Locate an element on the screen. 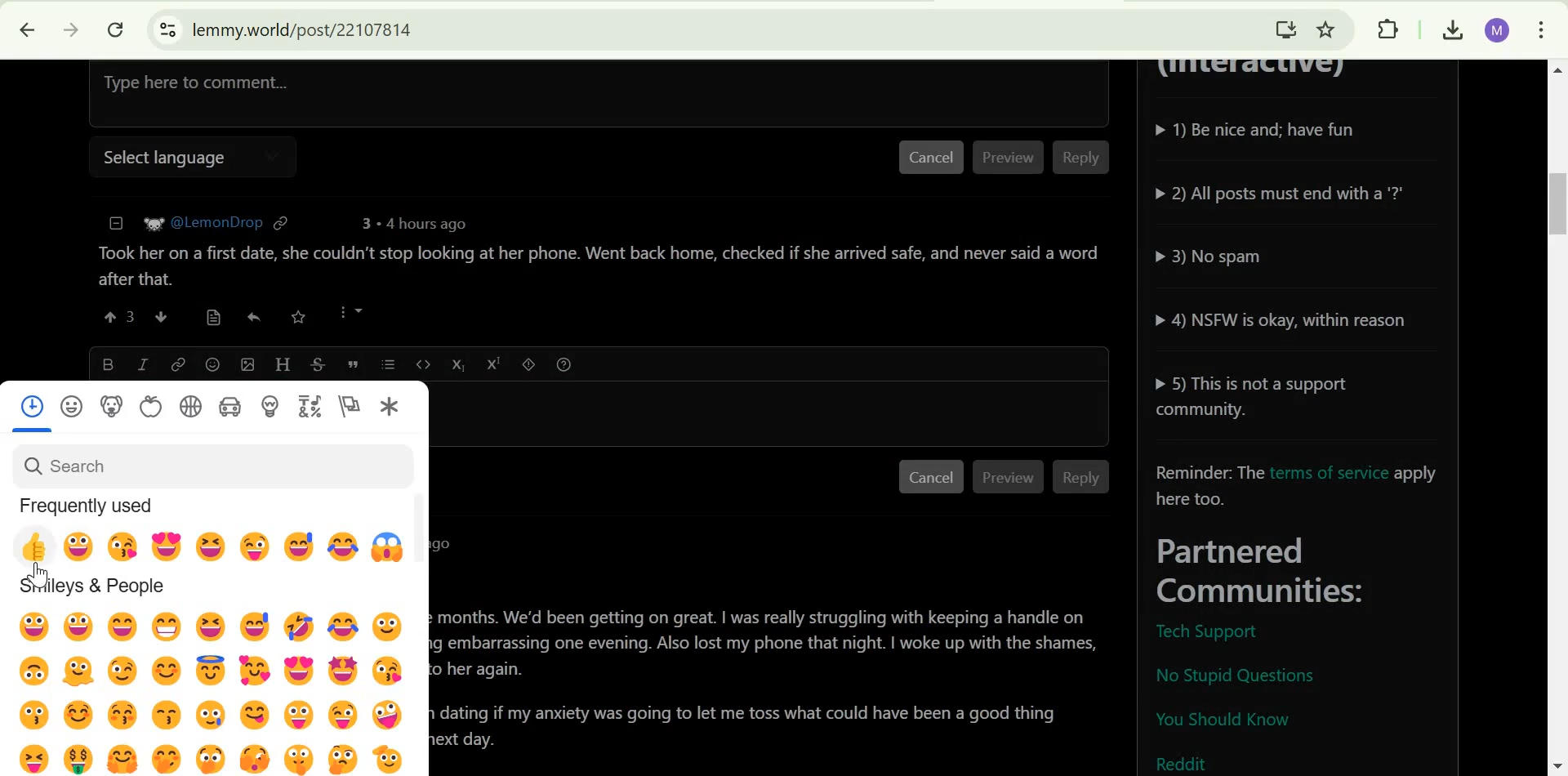 This screenshot has width=1568, height=776. Bookmark this tab is located at coordinates (1327, 27).